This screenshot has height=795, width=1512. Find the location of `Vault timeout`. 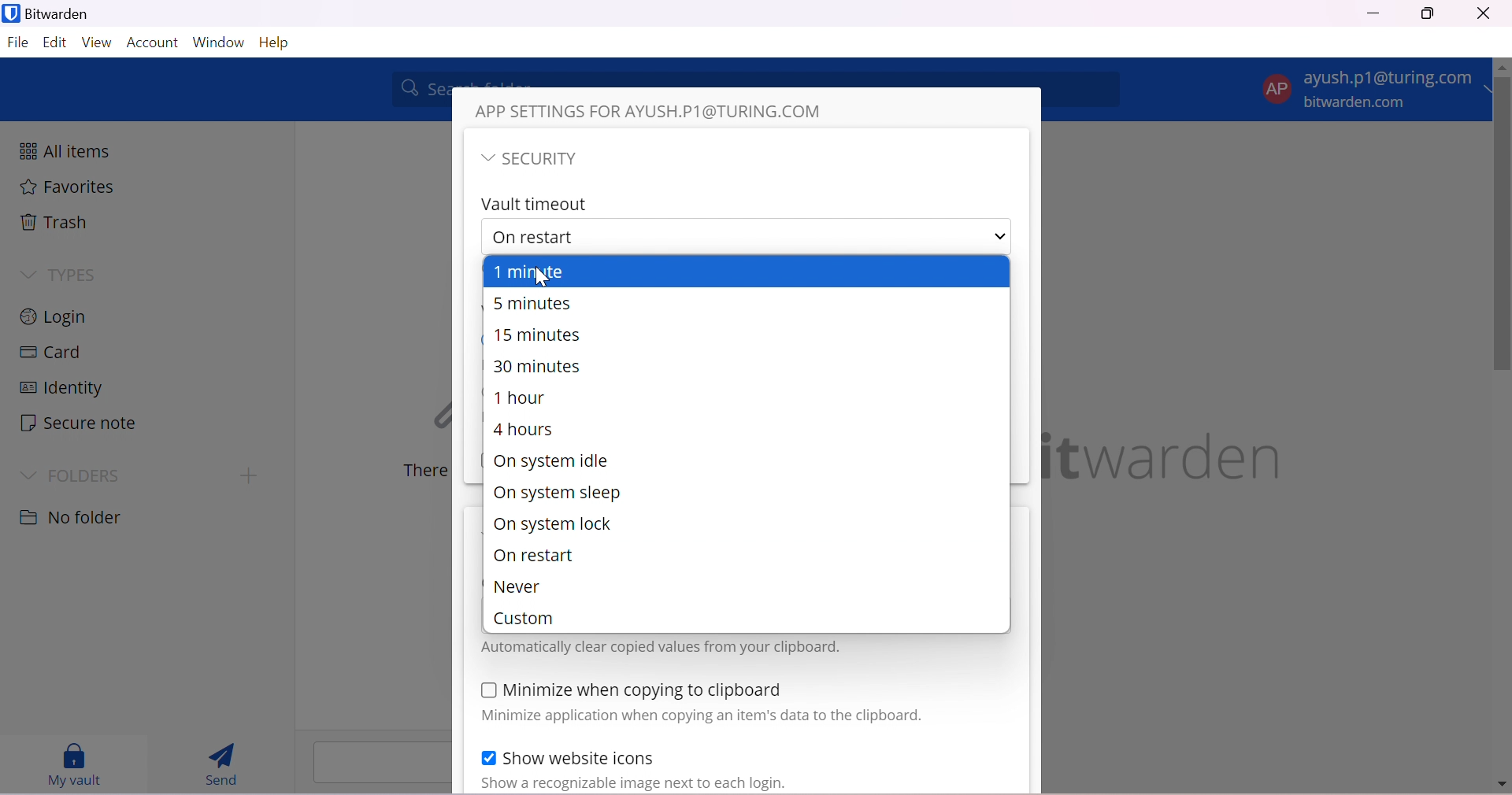

Vault timeout is located at coordinates (536, 205).